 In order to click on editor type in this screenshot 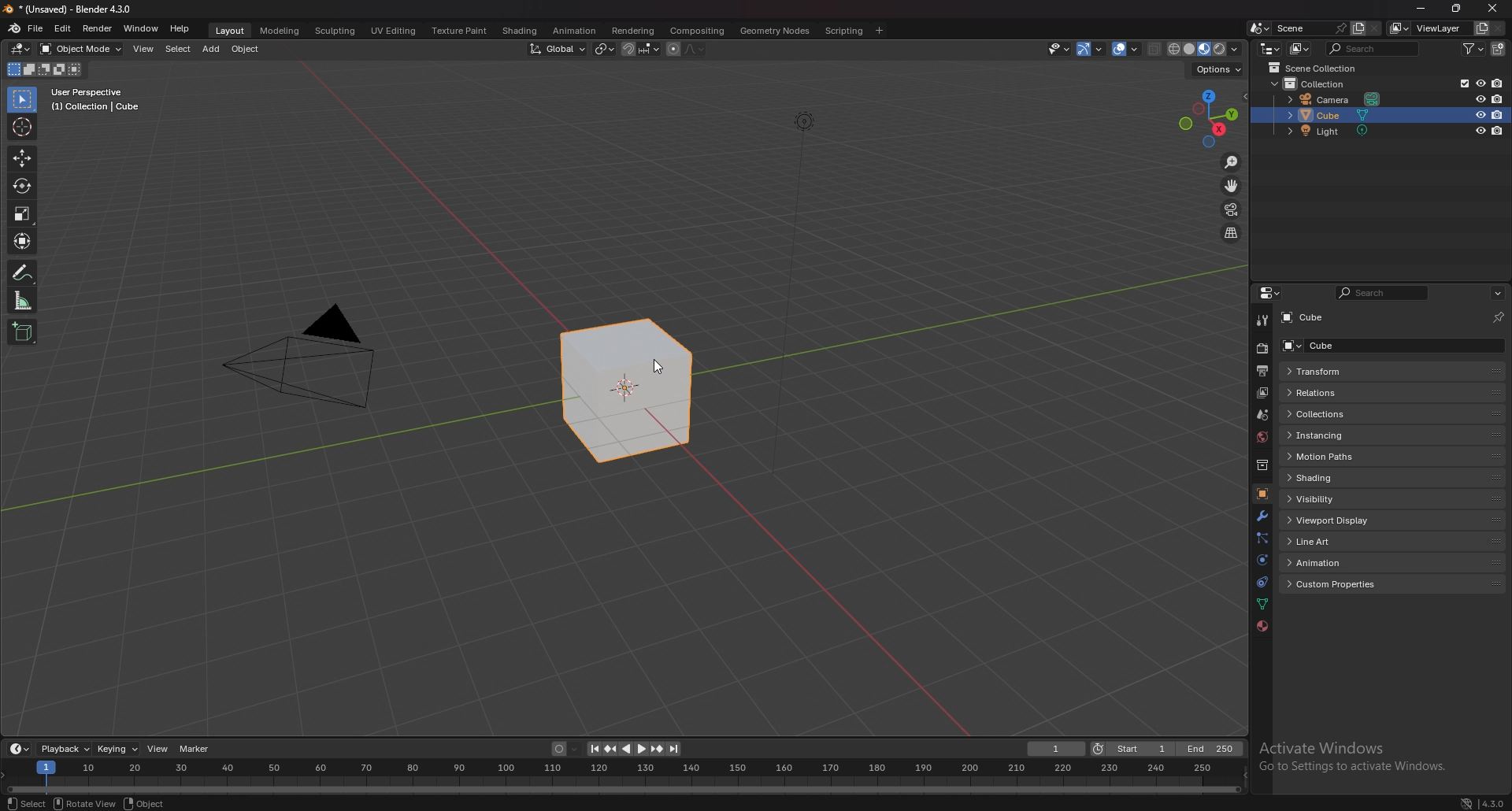, I will do `click(20, 49)`.